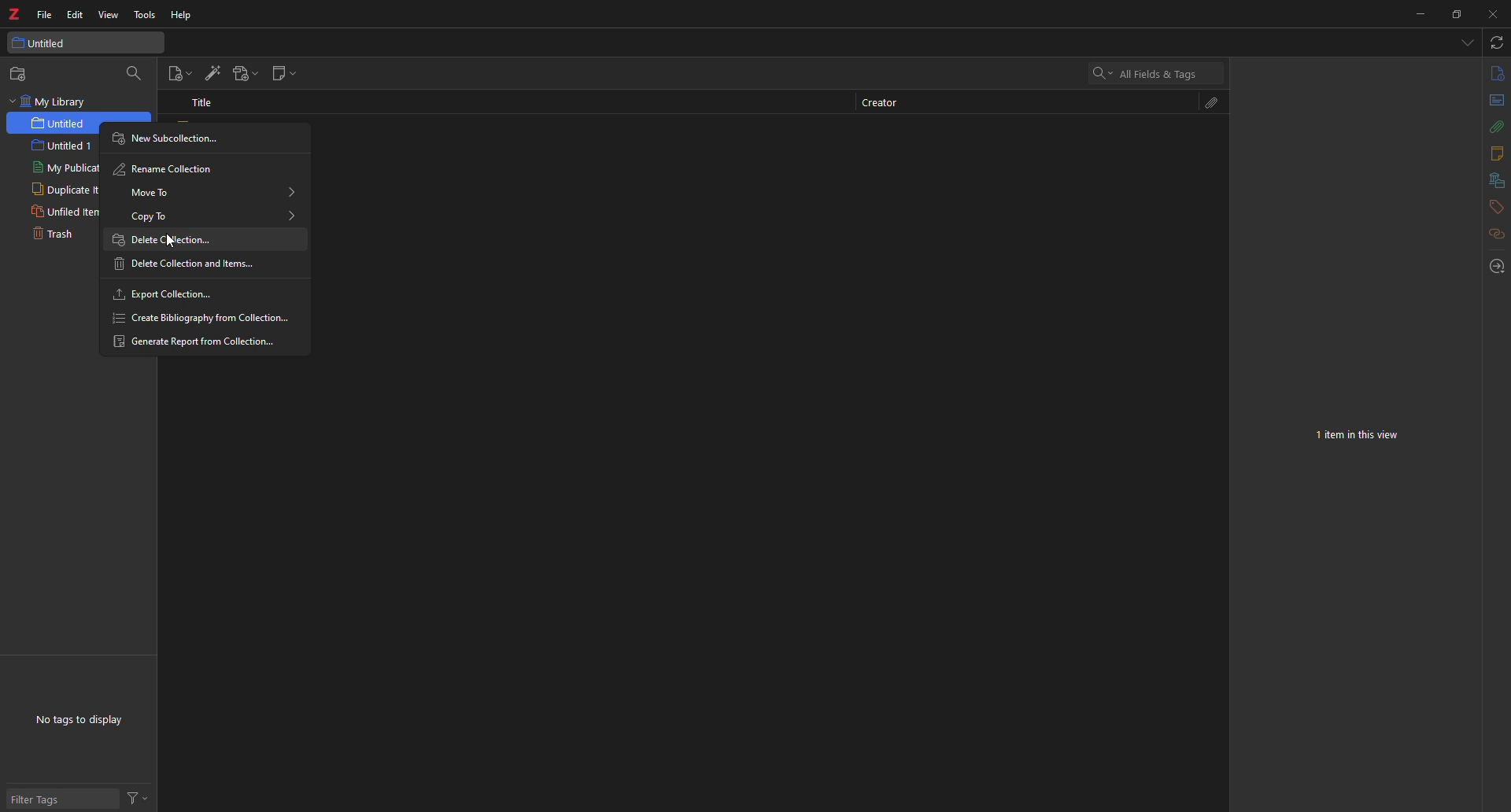  I want to click on maximize, so click(1454, 16).